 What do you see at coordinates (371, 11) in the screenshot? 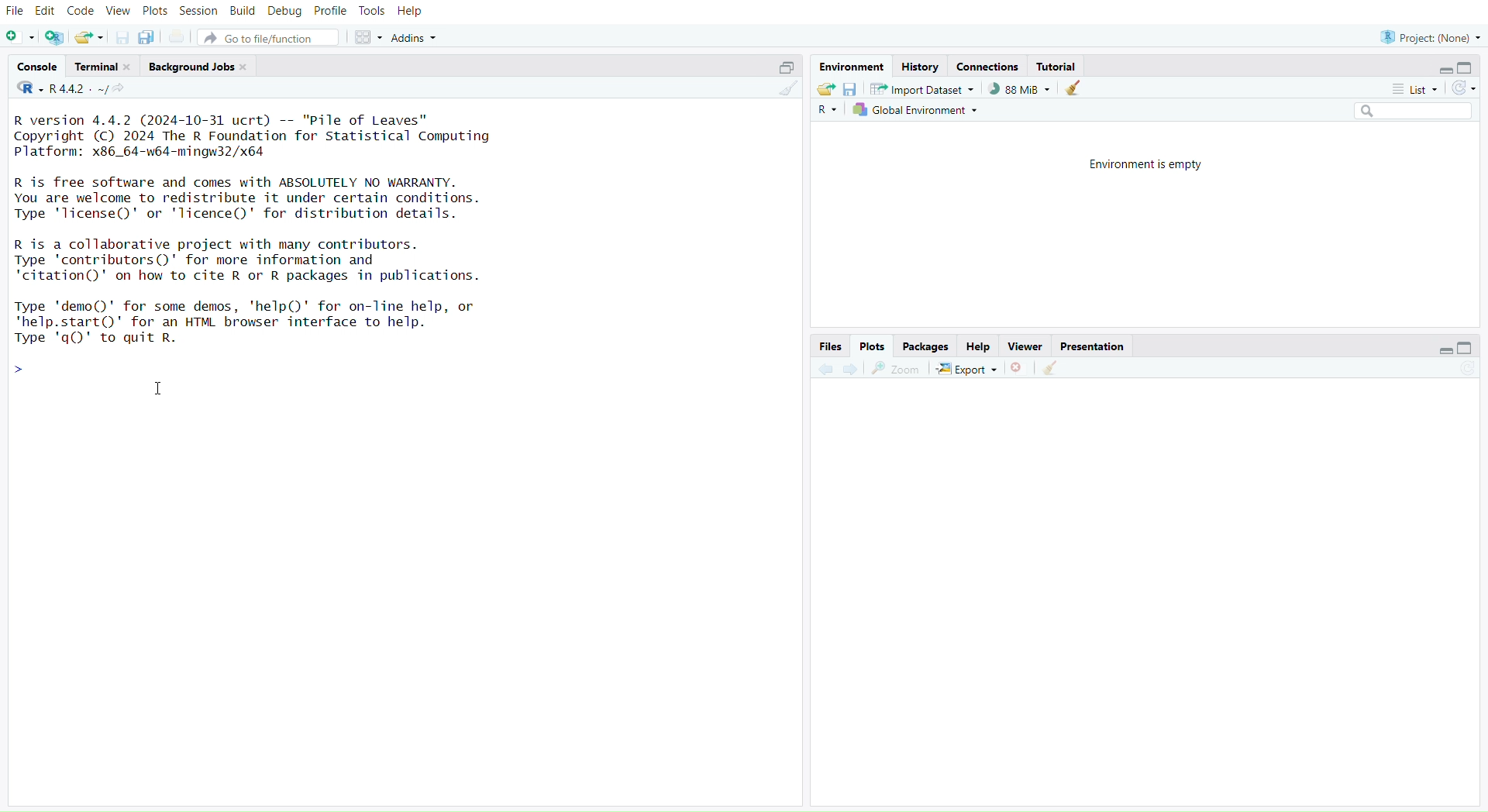
I see `tools` at bounding box center [371, 11].